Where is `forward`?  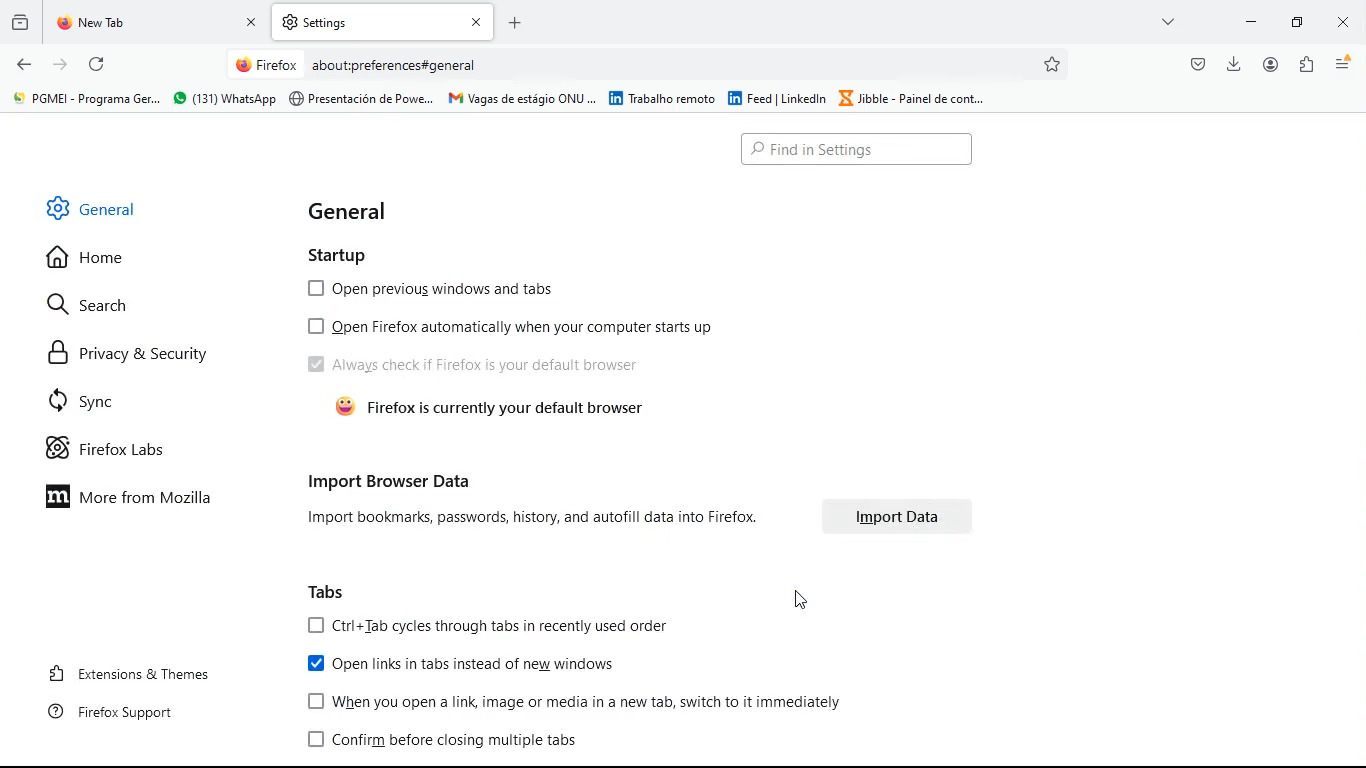
forward is located at coordinates (61, 66).